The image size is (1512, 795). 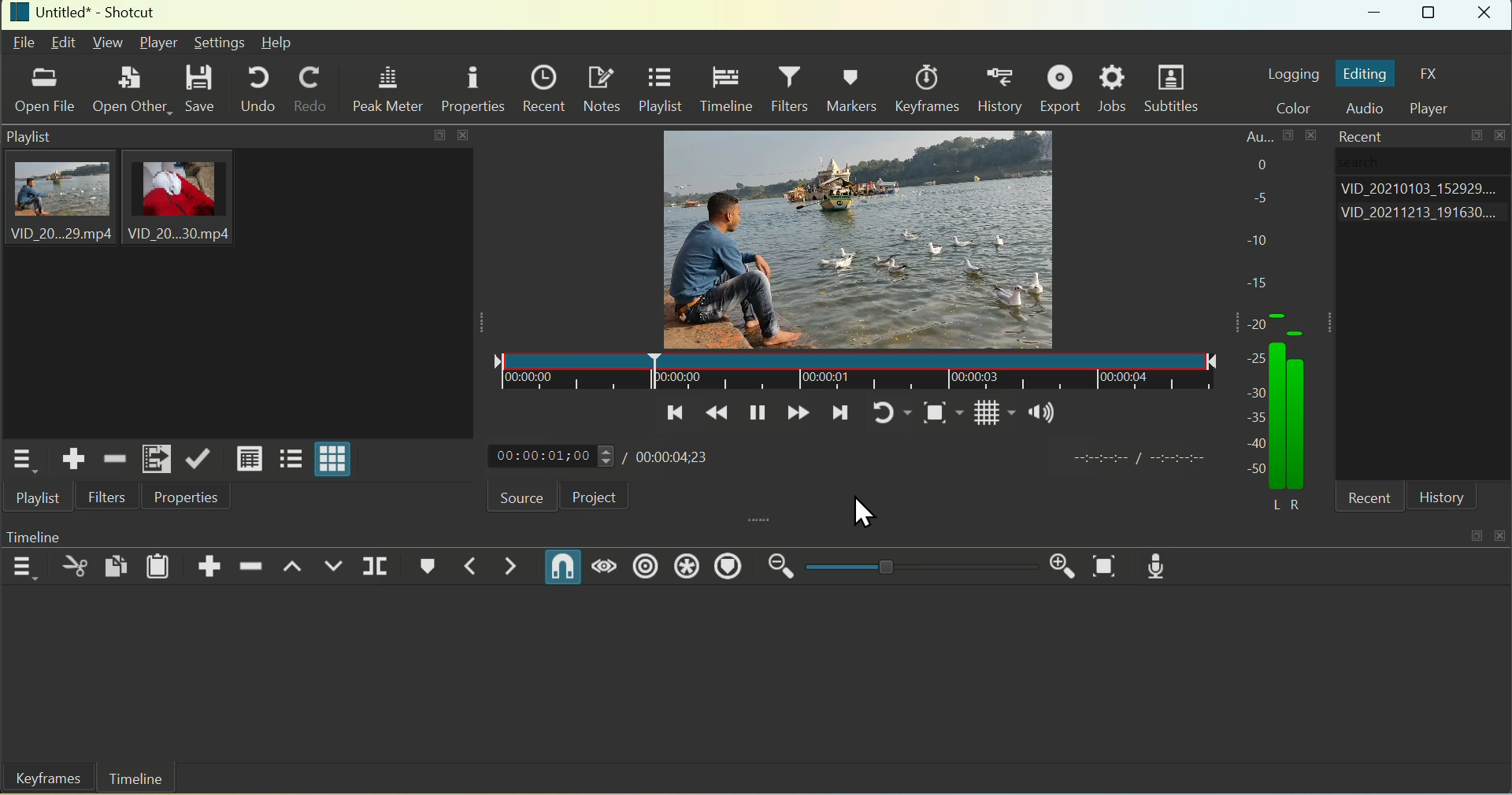 I want to click on maximize, so click(x=1475, y=534).